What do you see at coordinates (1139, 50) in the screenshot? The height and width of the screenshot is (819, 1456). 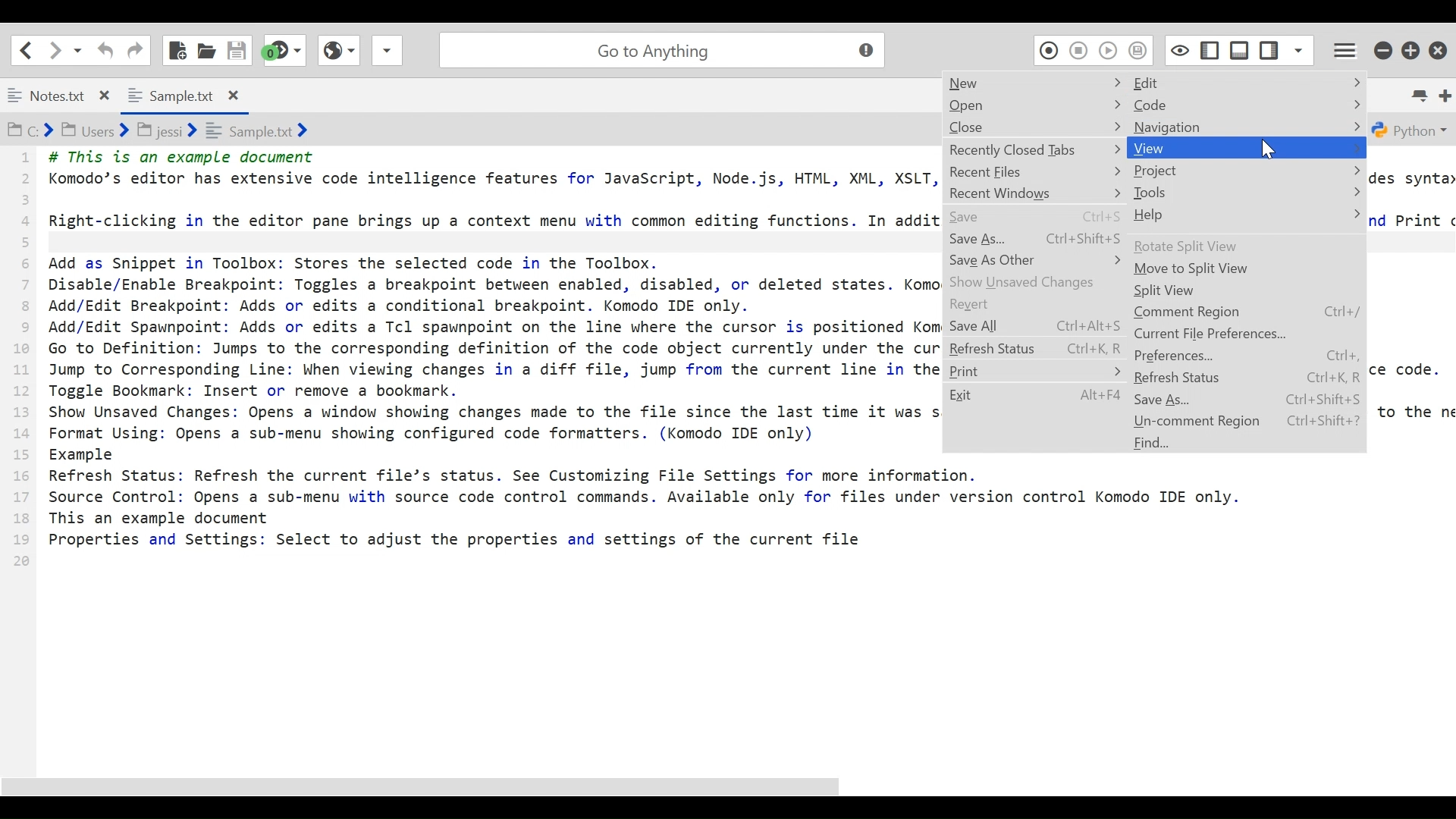 I see `Save Macro to Toolbox as Superscript` at bounding box center [1139, 50].